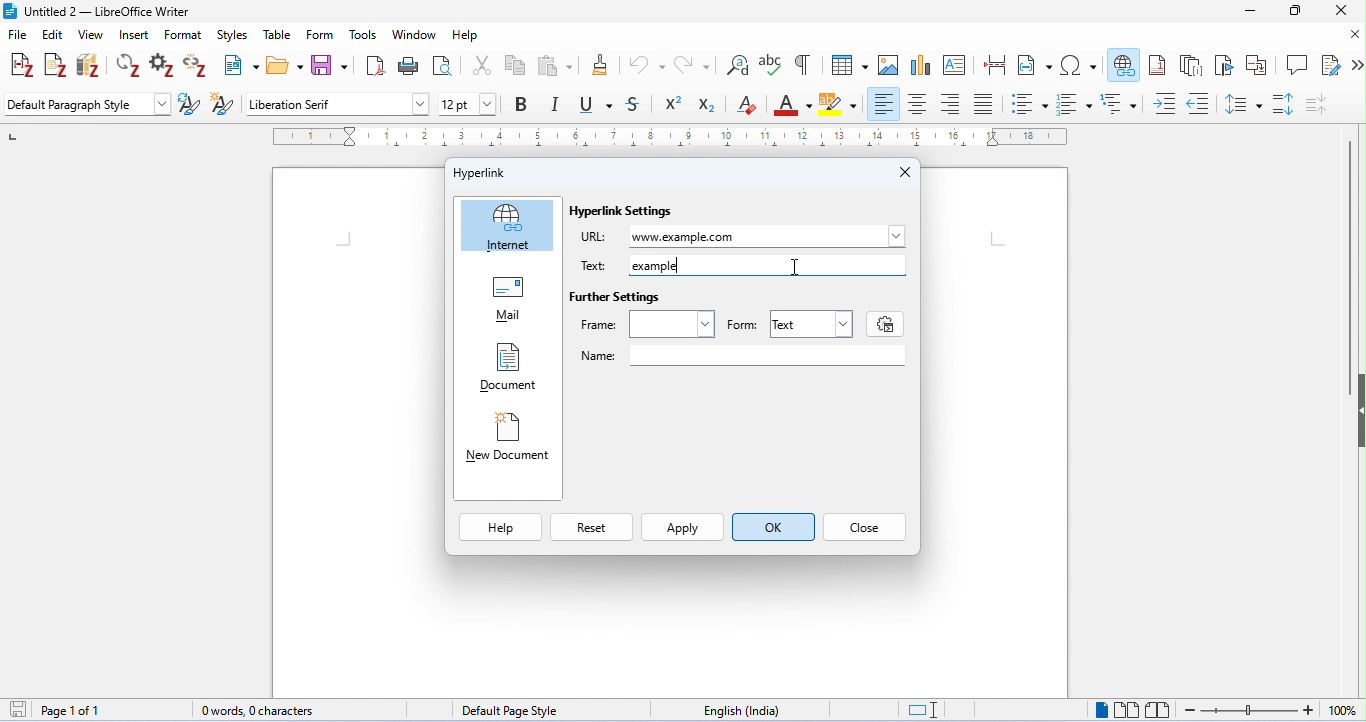  Describe the element at coordinates (55, 34) in the screenshot. I see `edit` at that location.